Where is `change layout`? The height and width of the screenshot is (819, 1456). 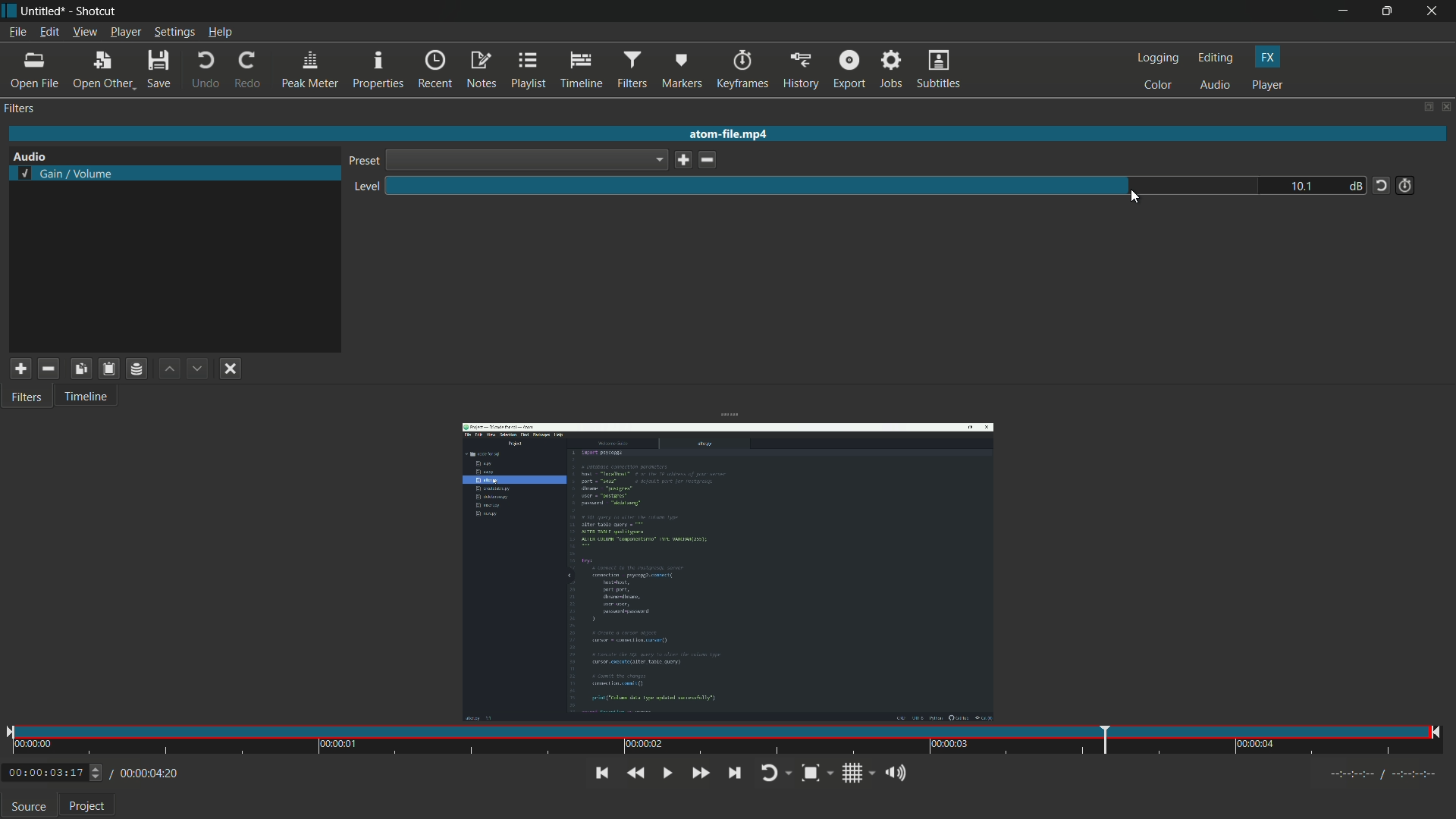 change layout is located at coordinates (1423, 106).